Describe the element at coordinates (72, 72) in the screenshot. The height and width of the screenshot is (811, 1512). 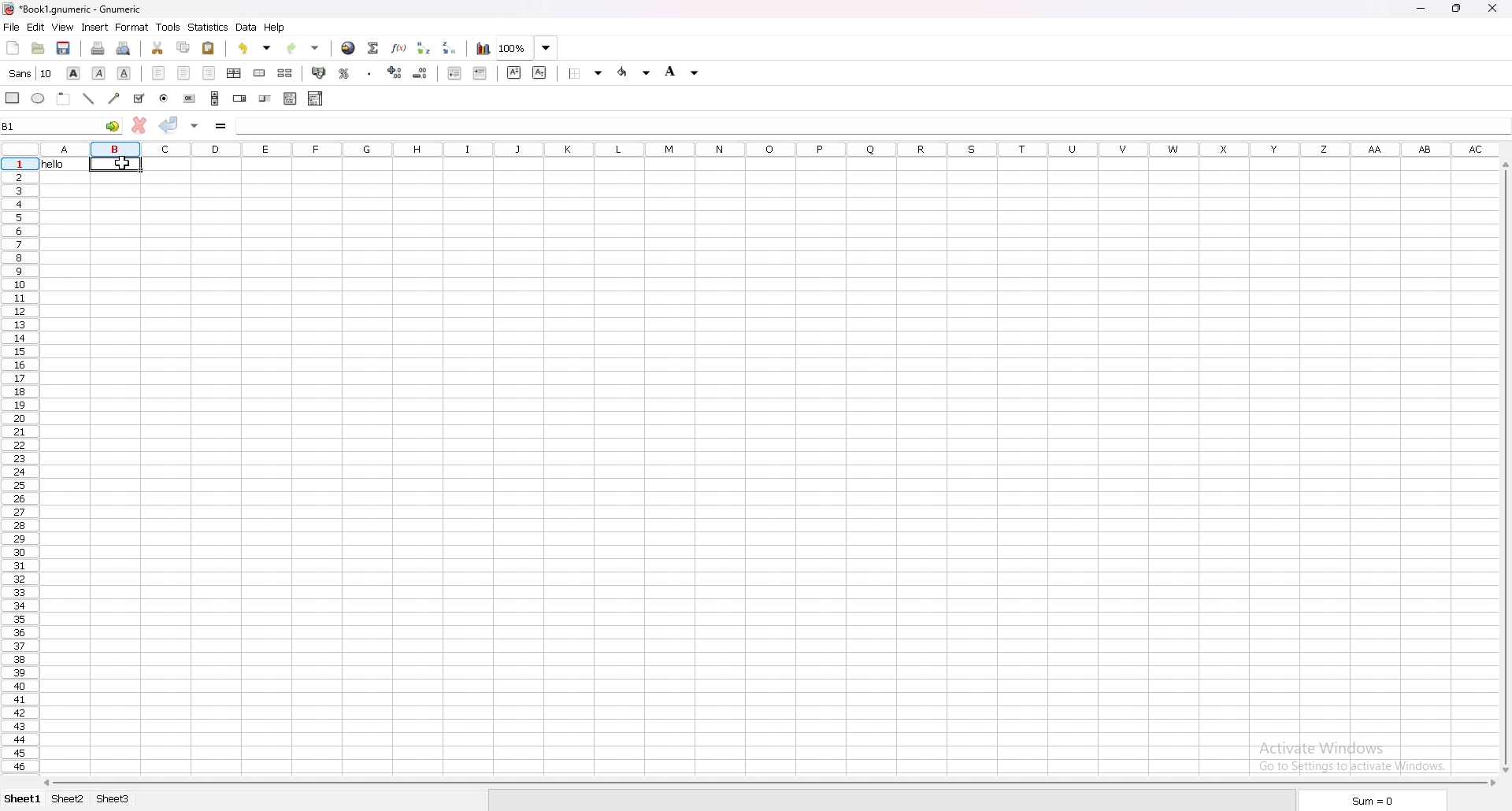
I see `bold` at that location.